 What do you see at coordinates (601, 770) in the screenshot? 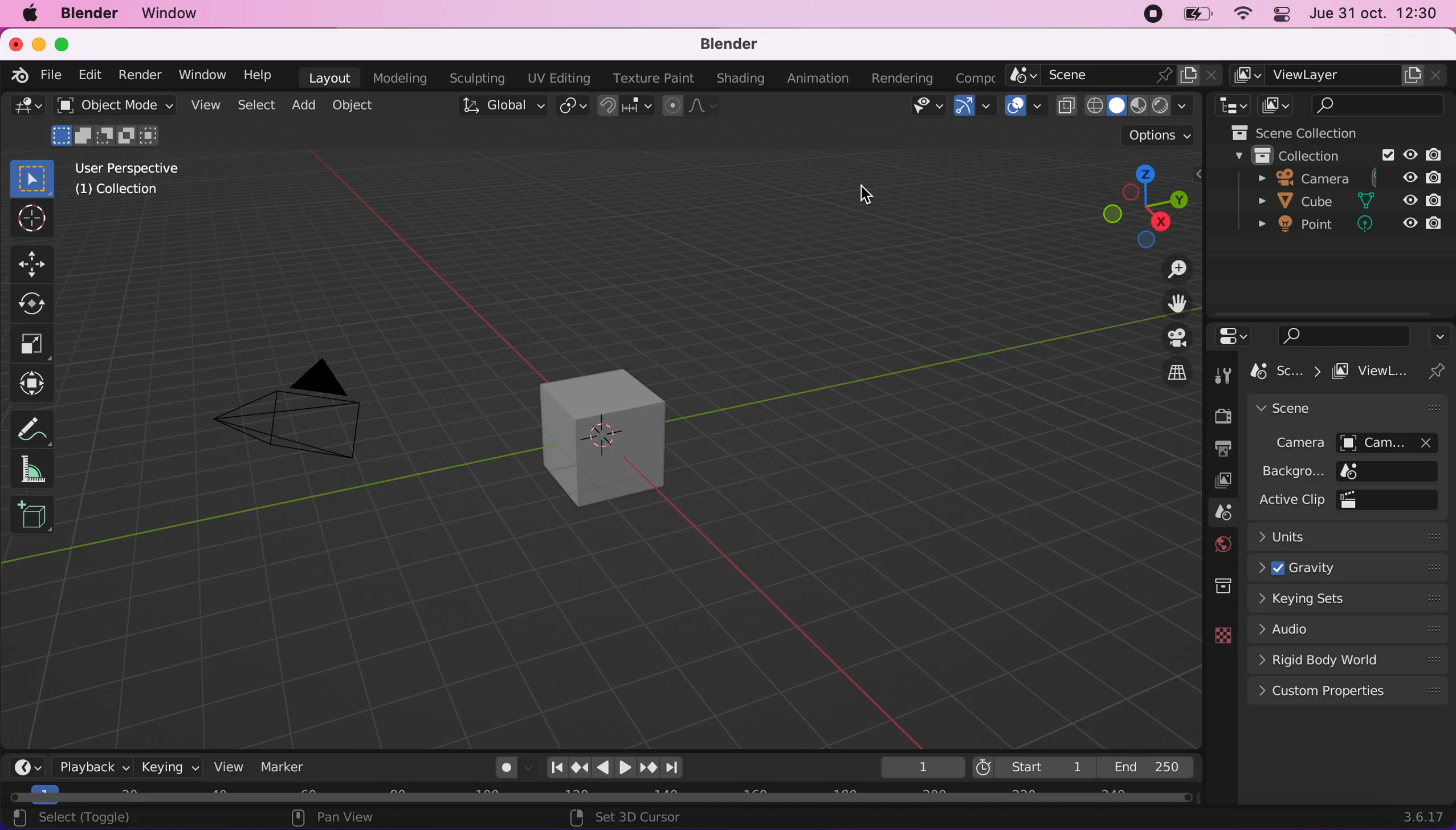
I see `Play animation` at bounding box center [601, 770].